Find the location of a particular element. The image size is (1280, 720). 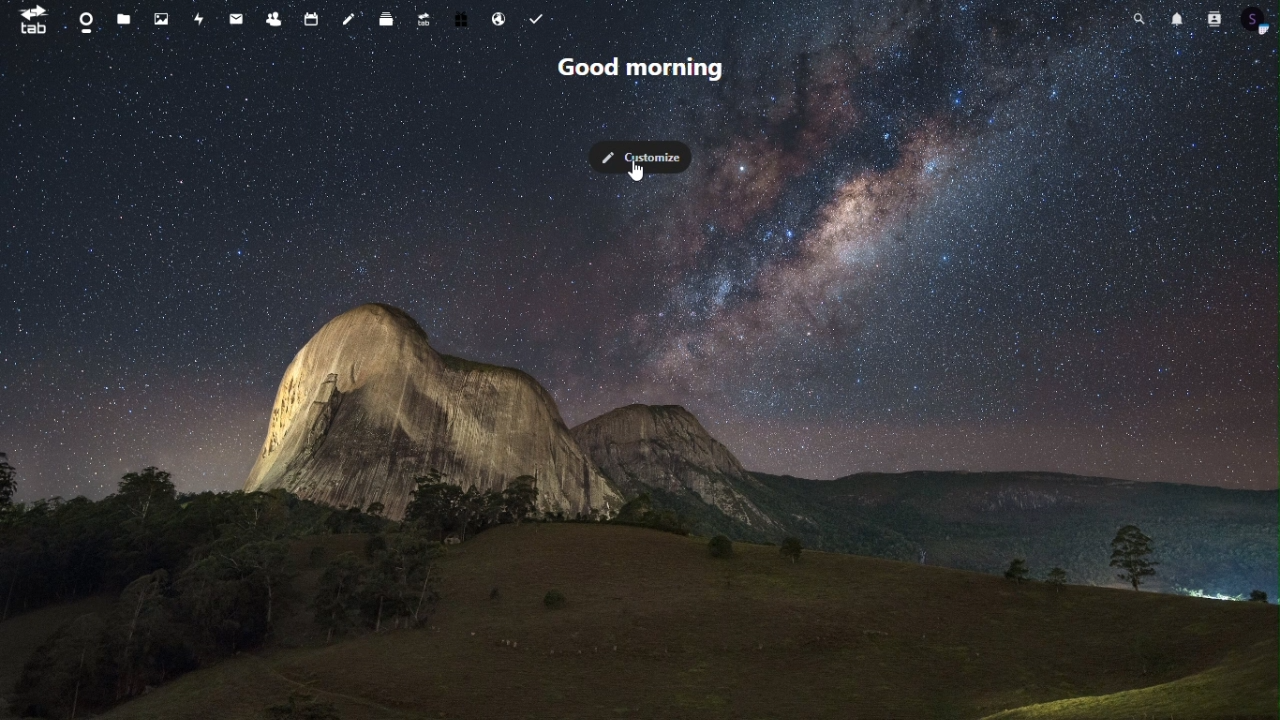

profile is located at coordinates (1255, 19).